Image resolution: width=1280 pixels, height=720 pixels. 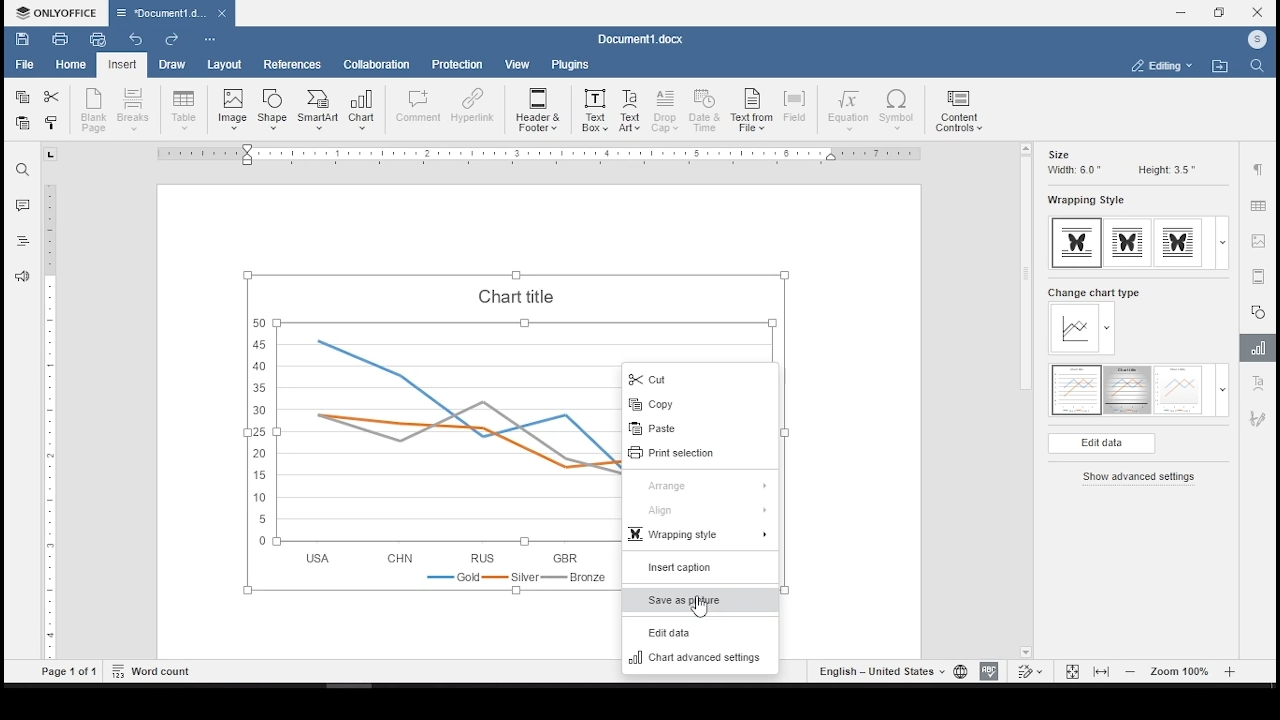 What do you see at coordinates (899, 111) in the screenshot?
I see `symbol` at bounding box center [899, 111].